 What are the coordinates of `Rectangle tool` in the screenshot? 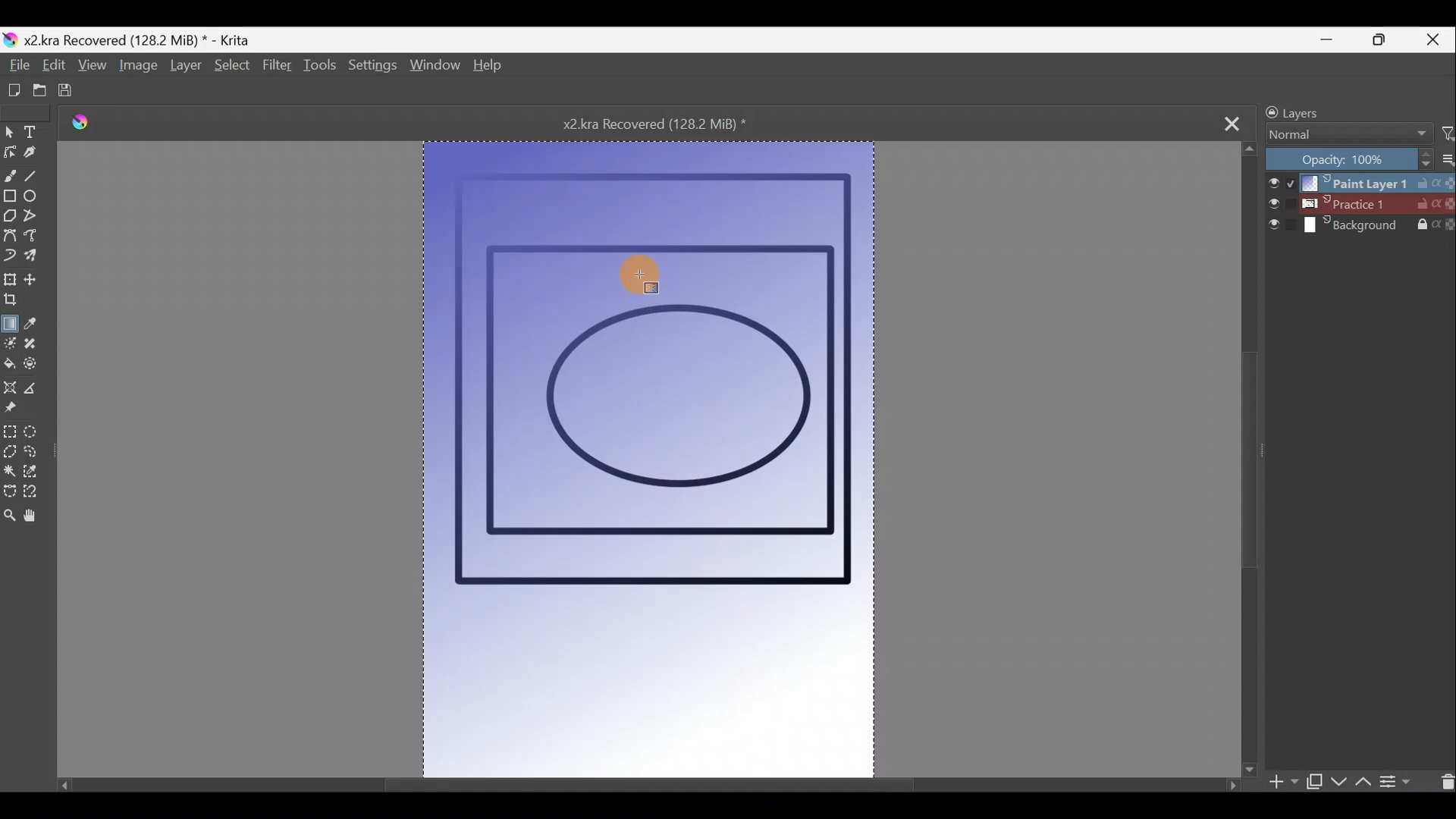 It's located at (9, 198).